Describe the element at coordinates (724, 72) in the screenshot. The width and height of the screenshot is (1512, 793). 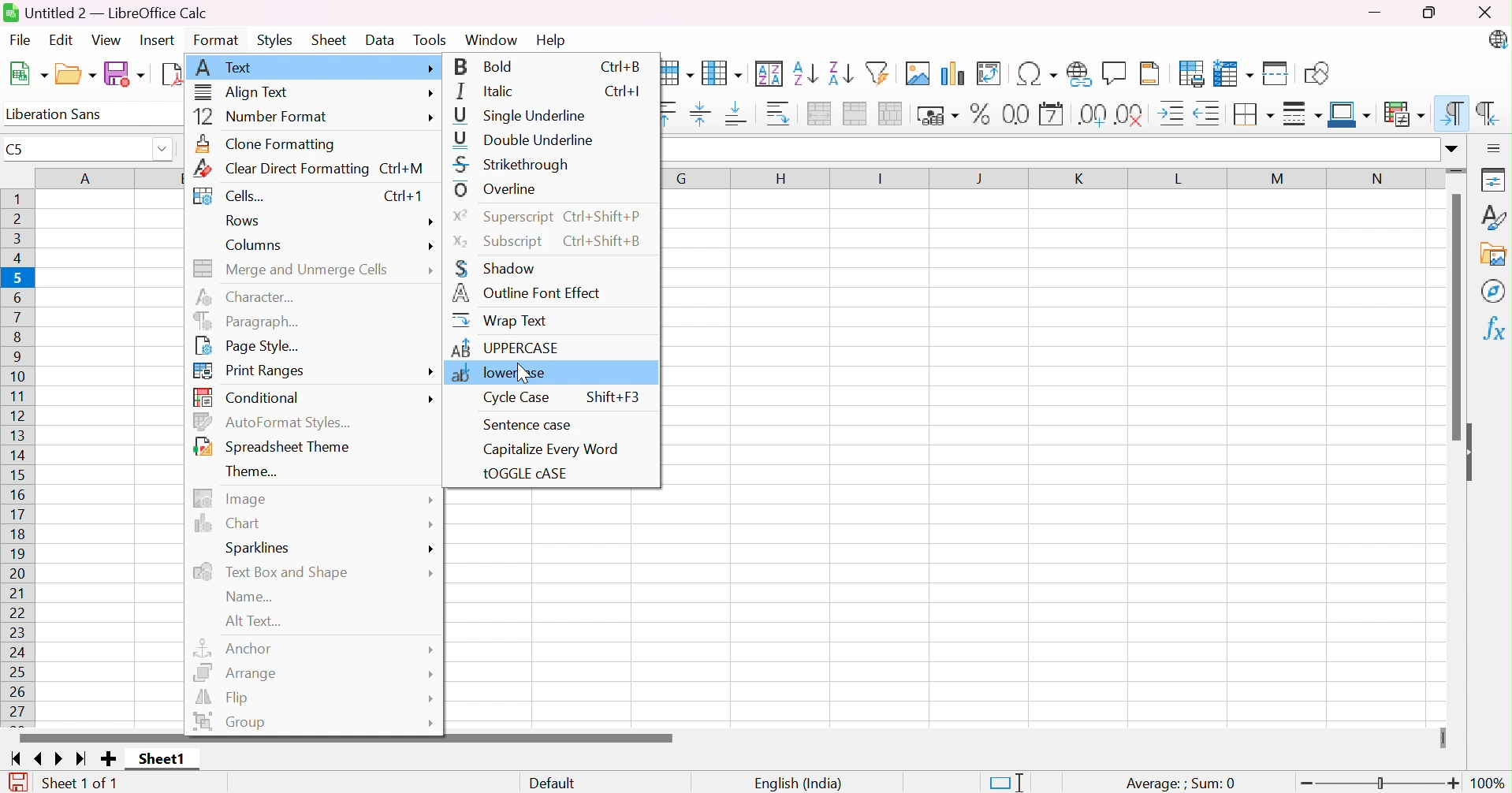
I see `Column` at that location.